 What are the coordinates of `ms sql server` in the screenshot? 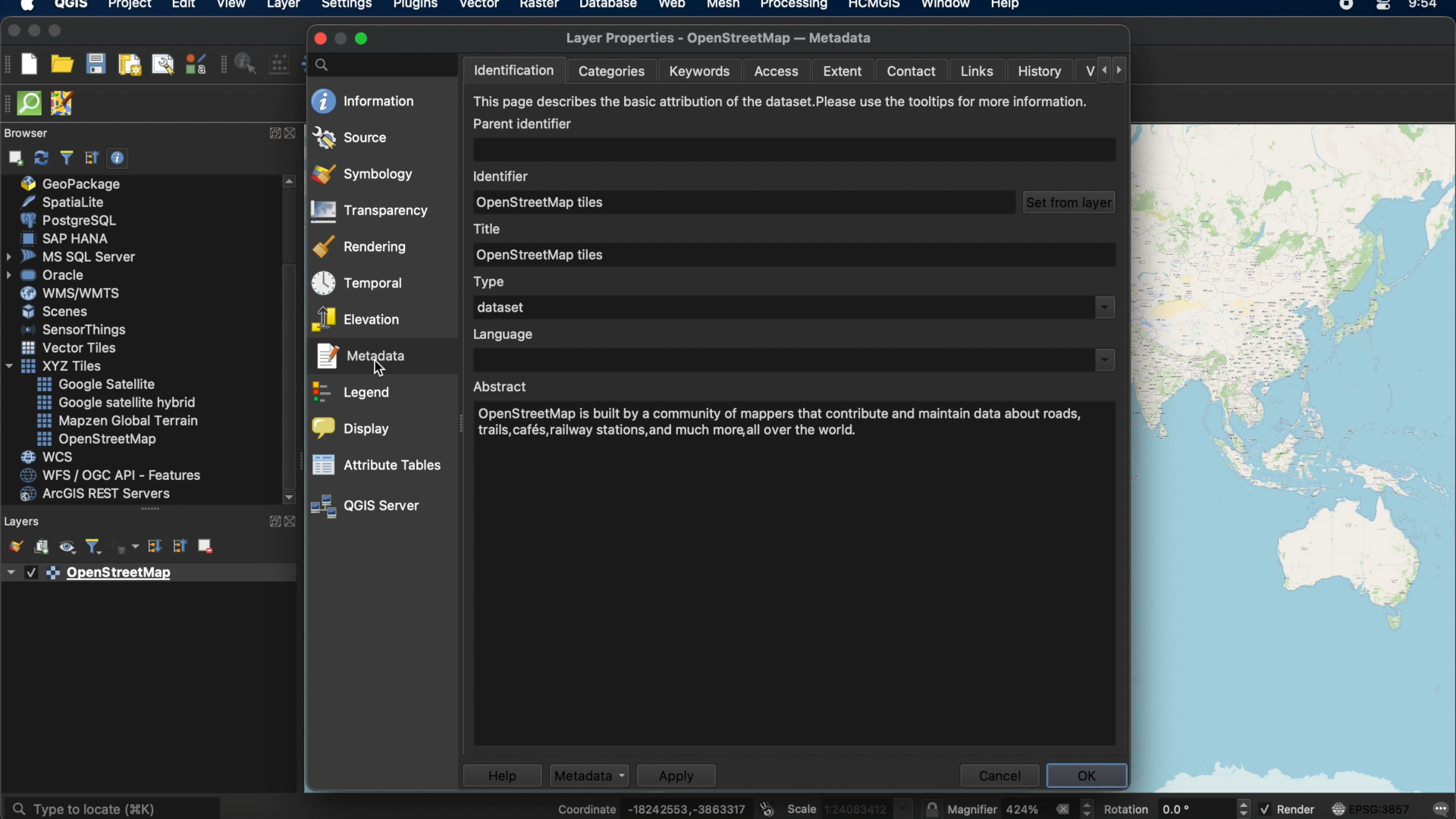 It's located at (70, 257).